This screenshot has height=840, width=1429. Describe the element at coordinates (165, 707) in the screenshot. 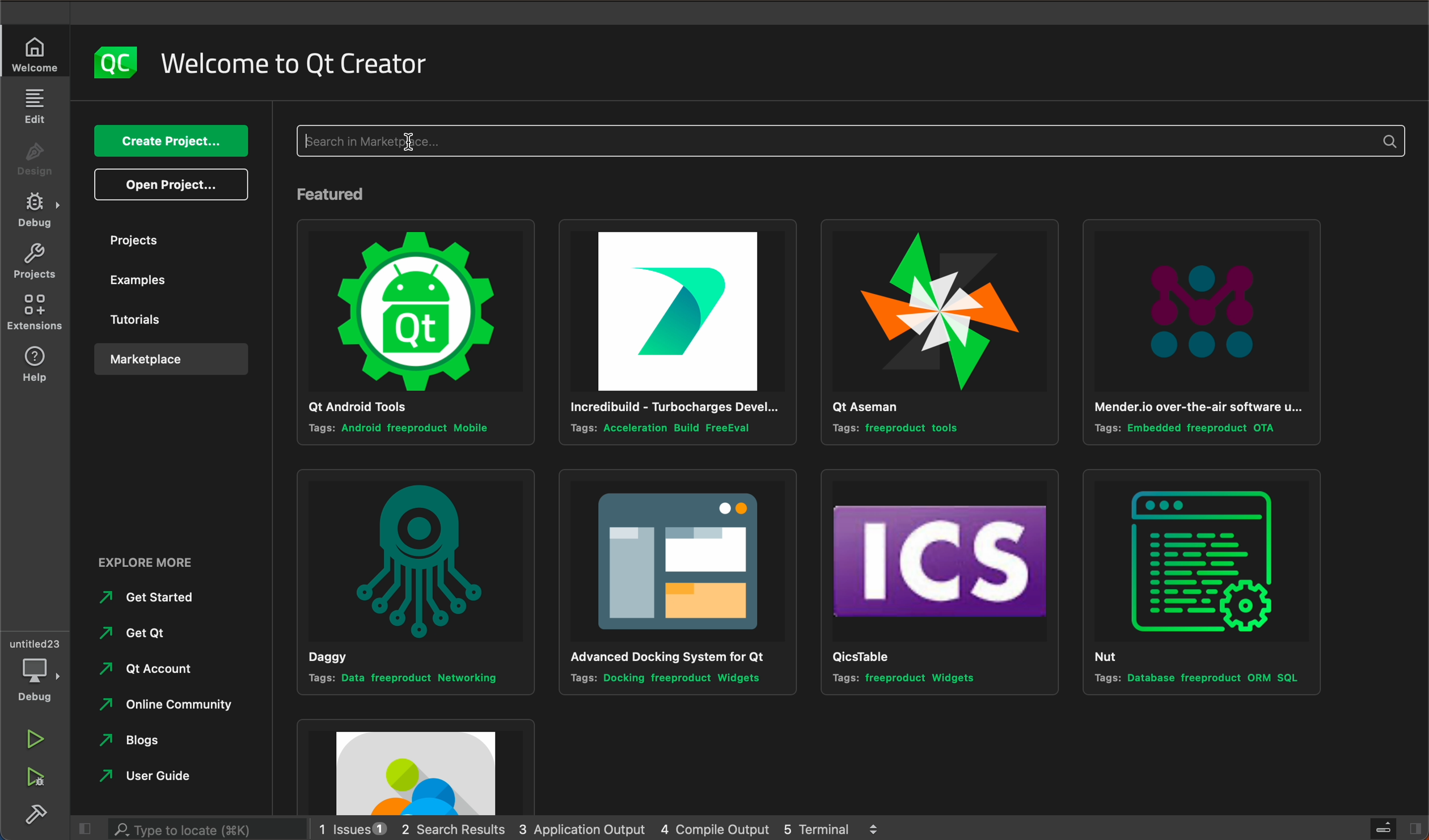

I see `` at that location.